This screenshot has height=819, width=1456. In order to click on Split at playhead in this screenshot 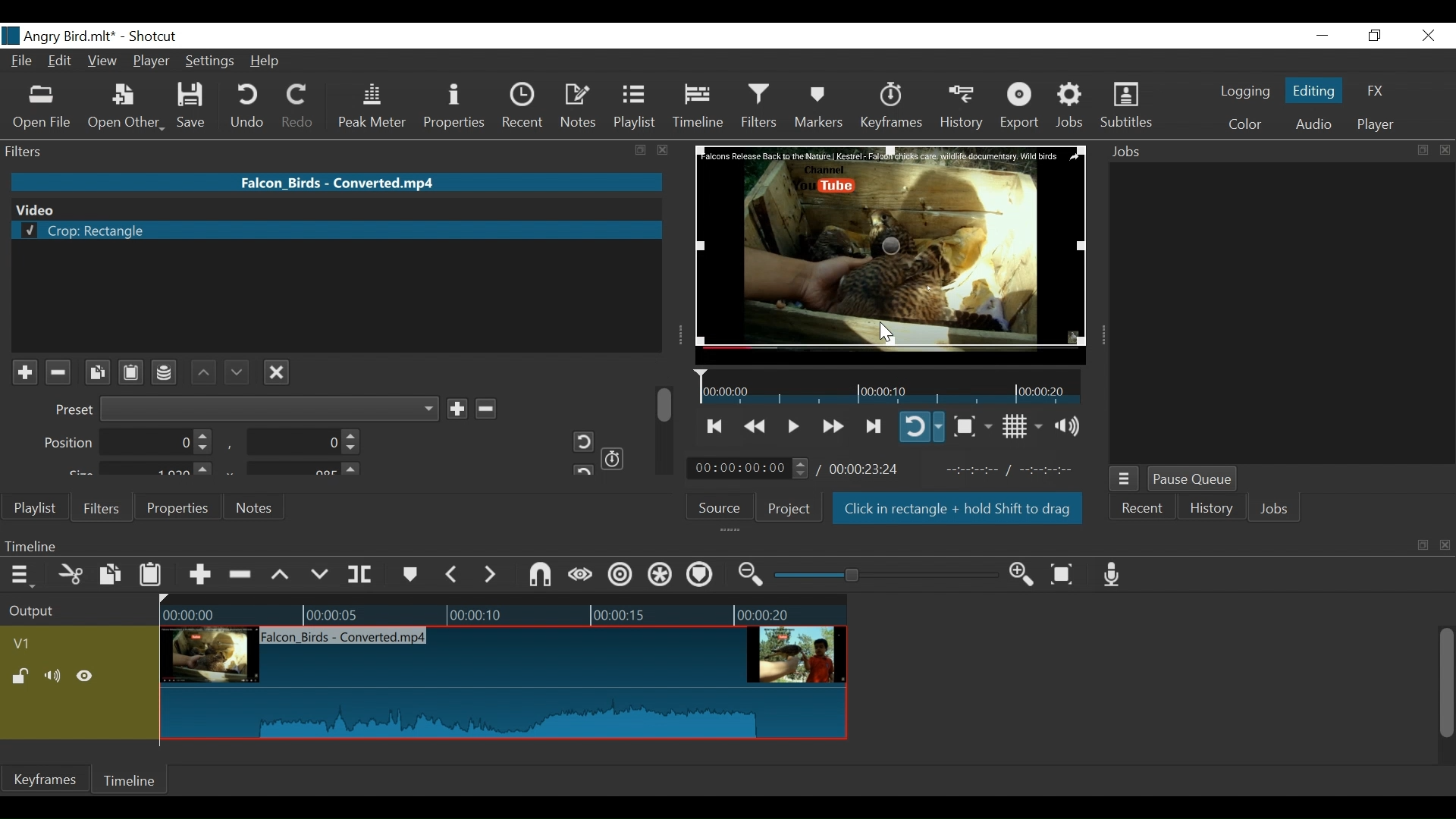, I will do `click(360, 575)`.